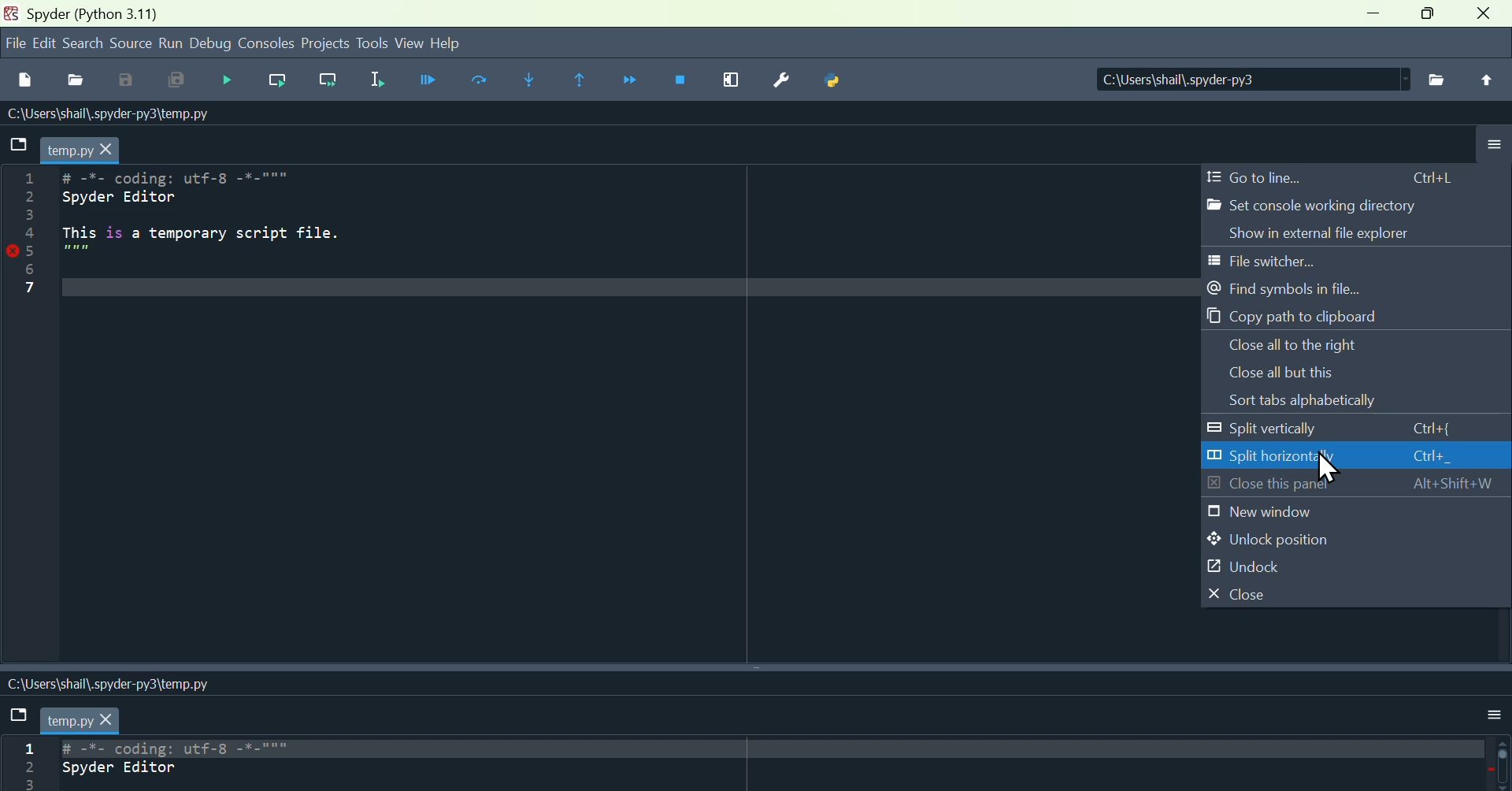  Describe the element at coordinates (454, 43) in the screenshot. I see `help` at that location.